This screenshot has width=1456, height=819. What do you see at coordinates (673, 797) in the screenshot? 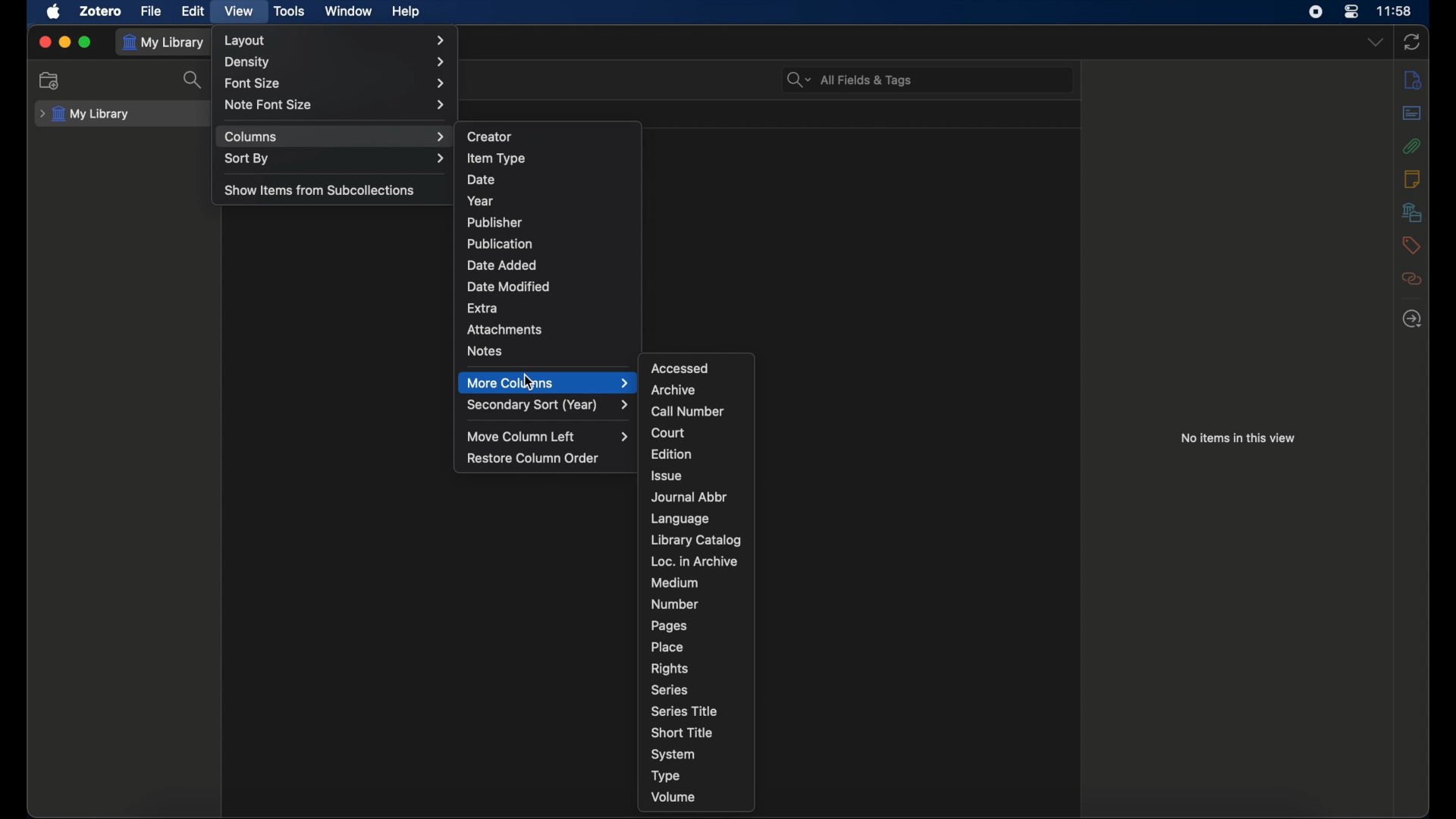
I see `volume` at bounding box center [673, 797].